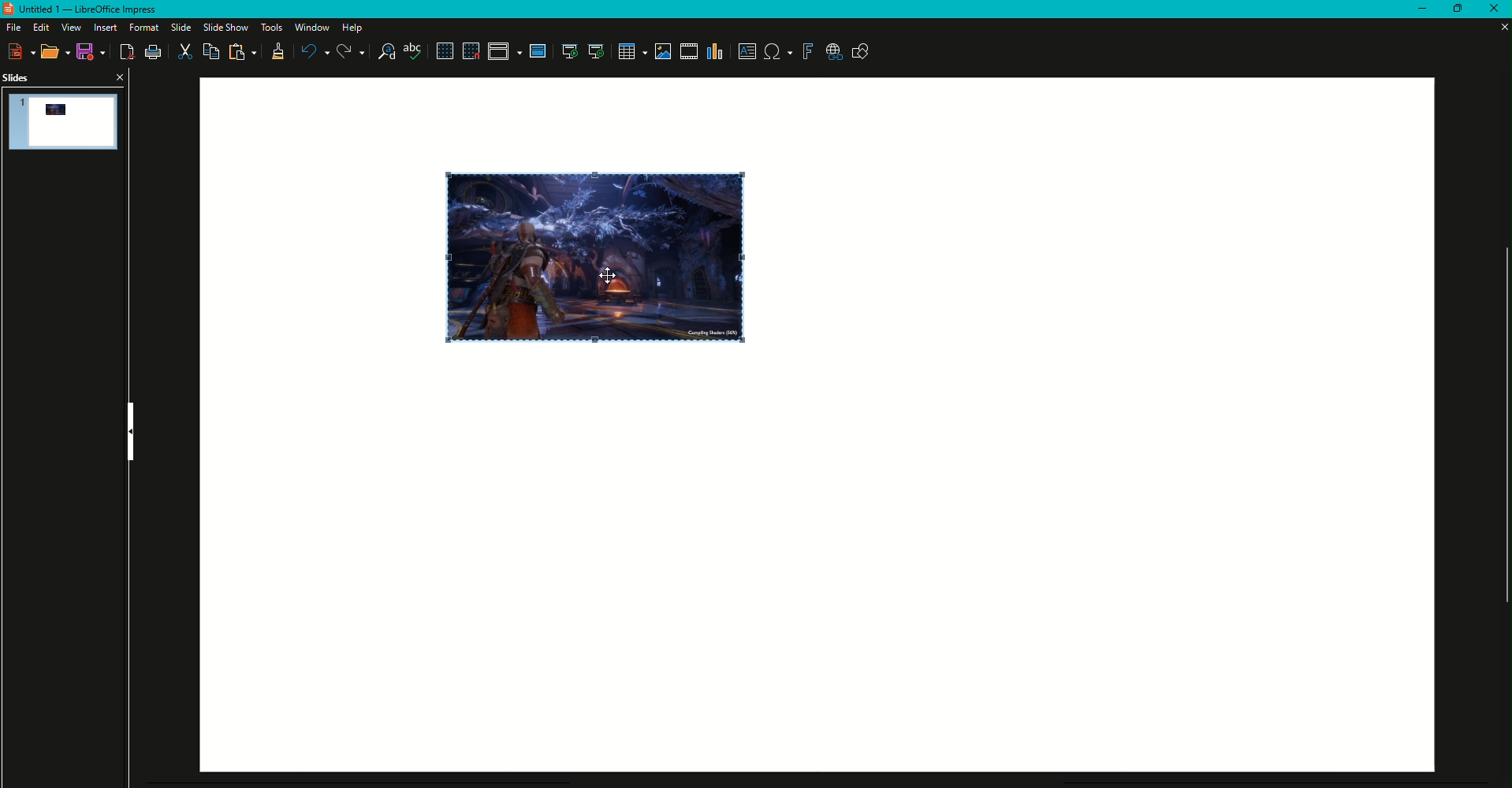 This screenshot has width=1512, height=788. I want to click on Find and Replace, so click(386, 52).